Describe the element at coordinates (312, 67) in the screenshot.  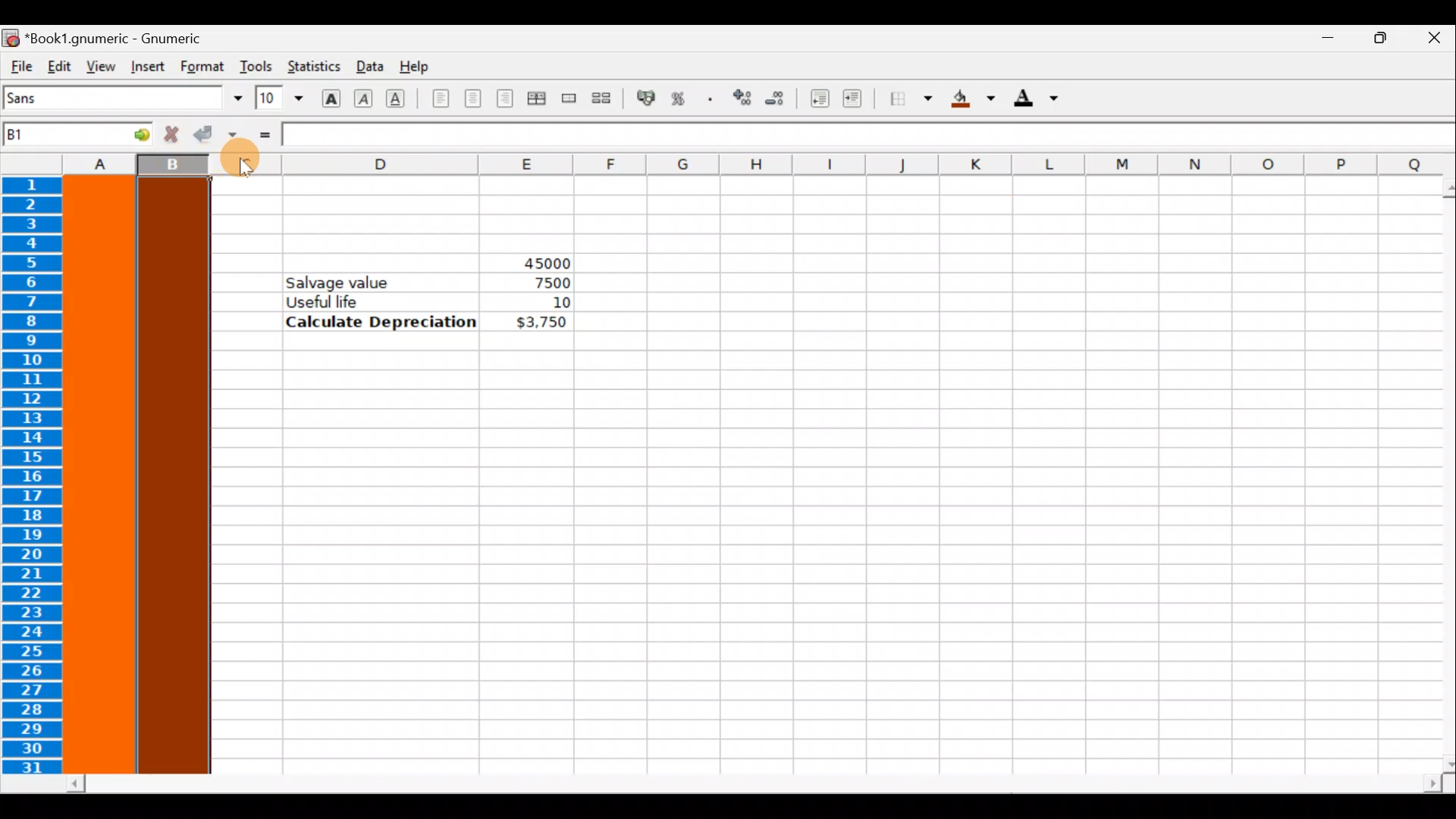
I see `Statistics` at that location.